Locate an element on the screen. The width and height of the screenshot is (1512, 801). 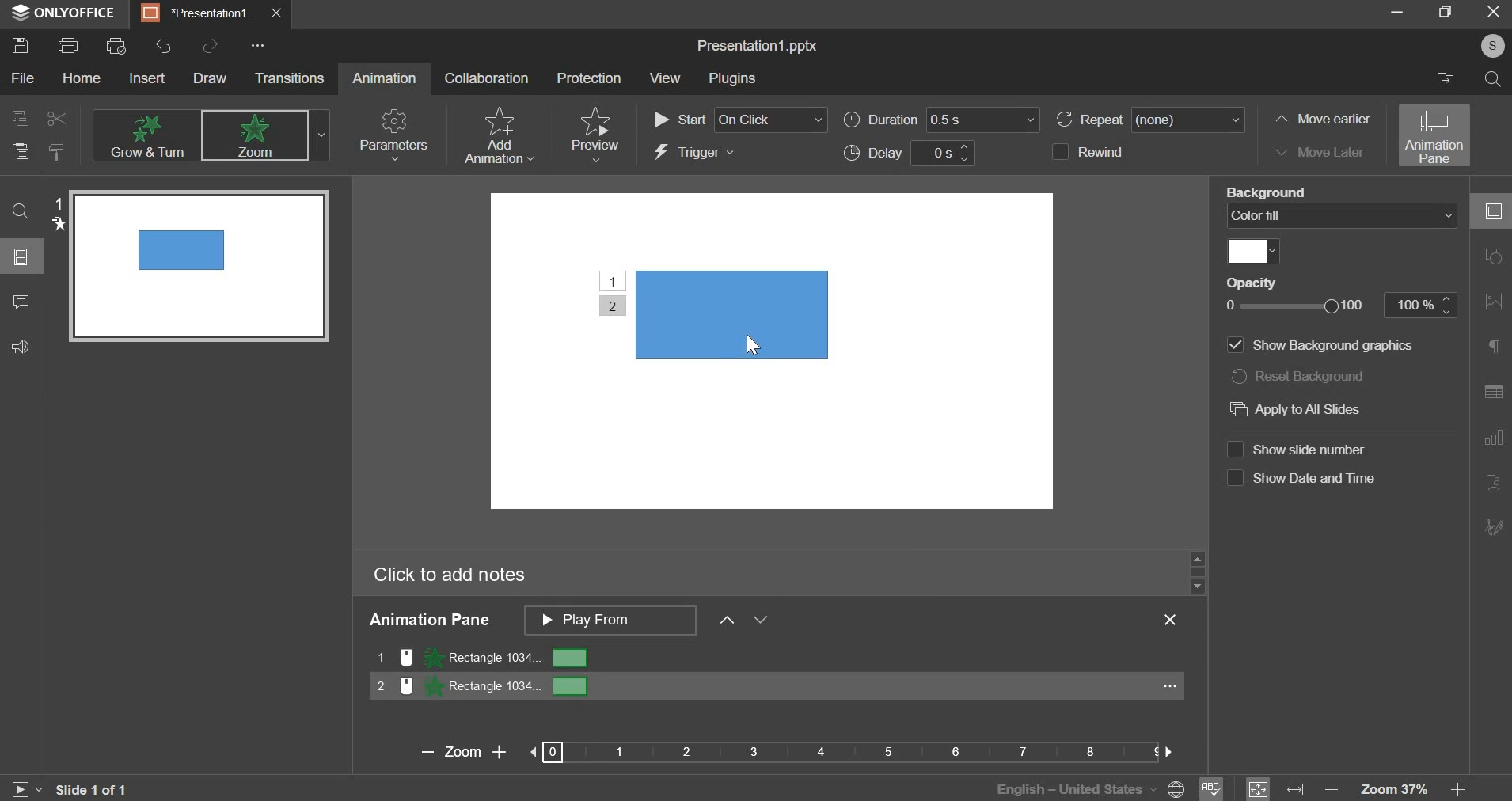
Animation is located at coordinates (386, 80).